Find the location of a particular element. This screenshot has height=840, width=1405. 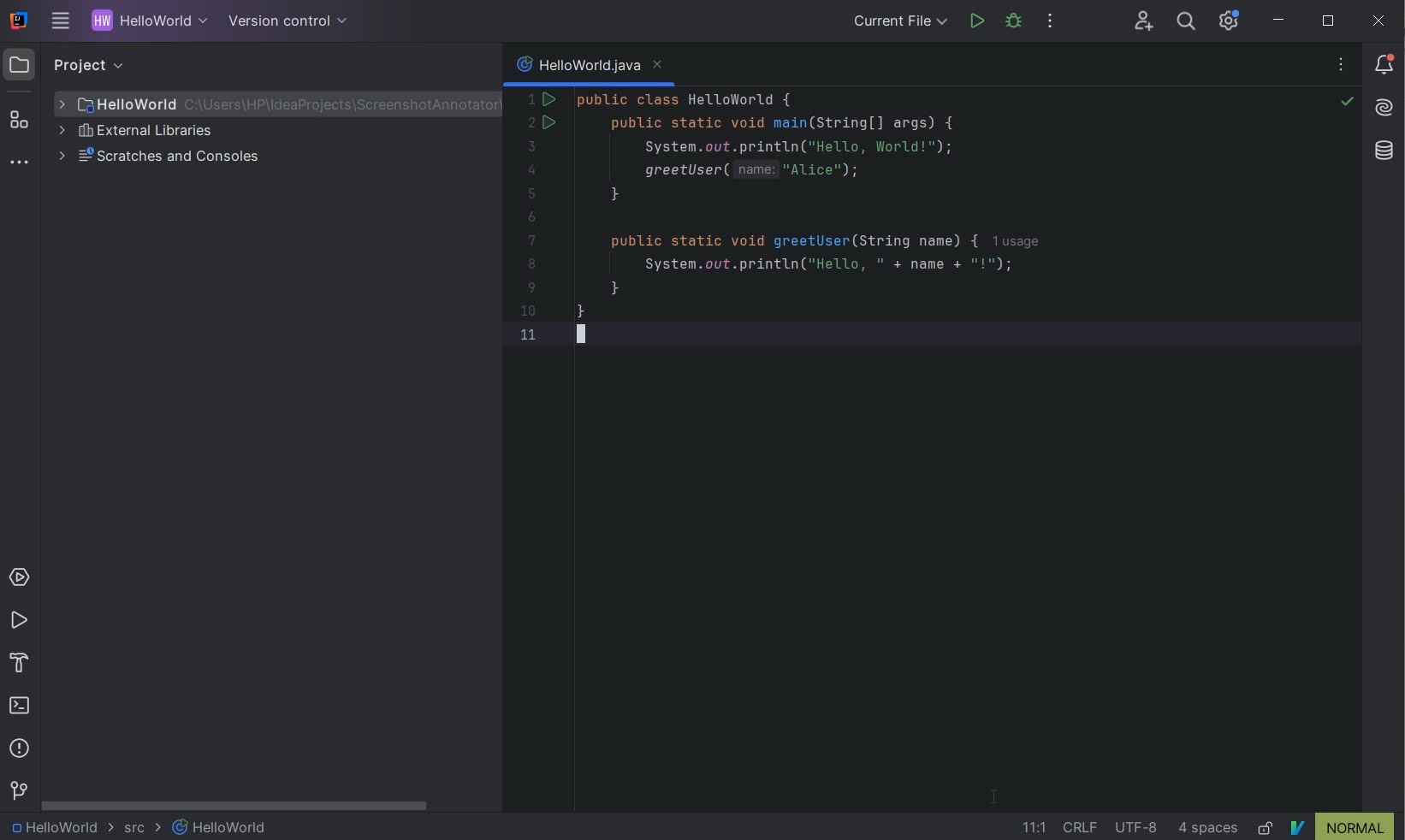

MAIN MENU is located at coordinates (56, 22).